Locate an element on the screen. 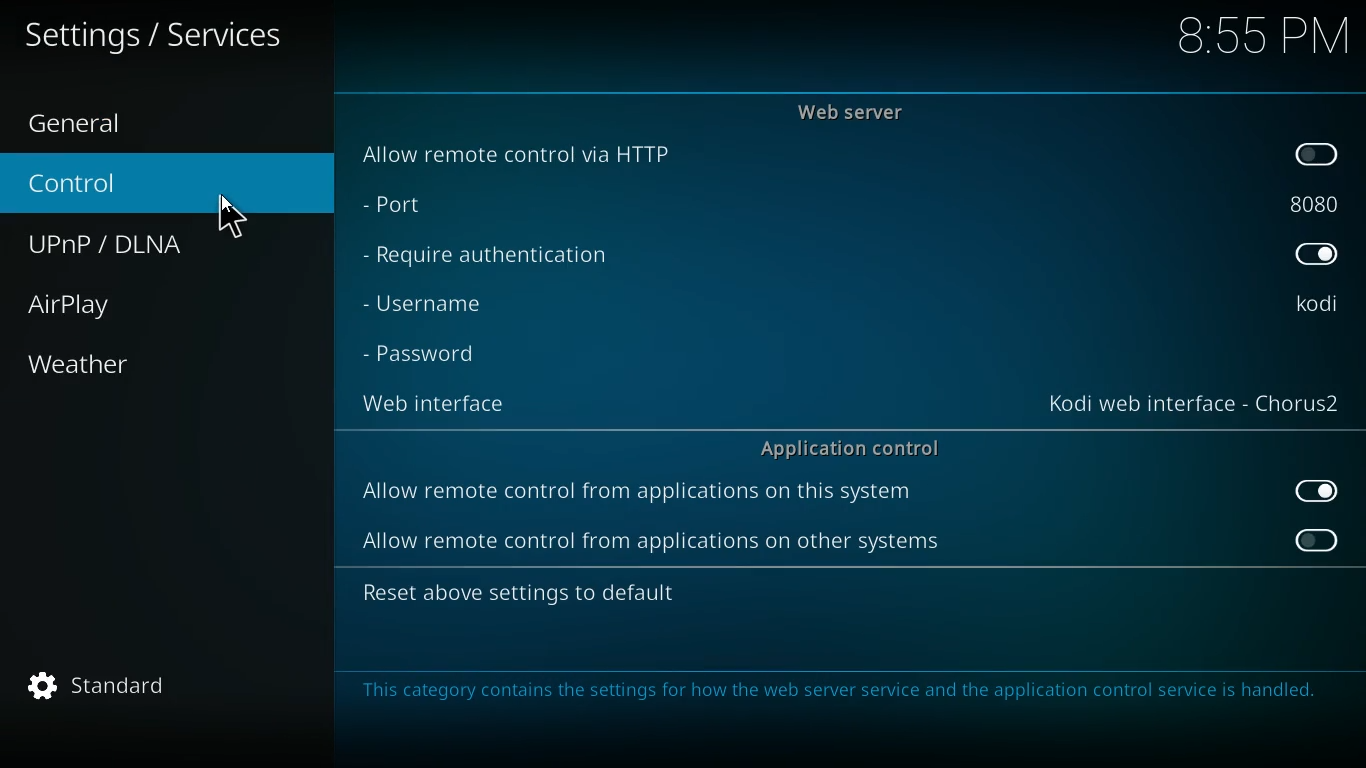 The image size is (1366, 768). 8080 is located at coordinates (1313, 201).